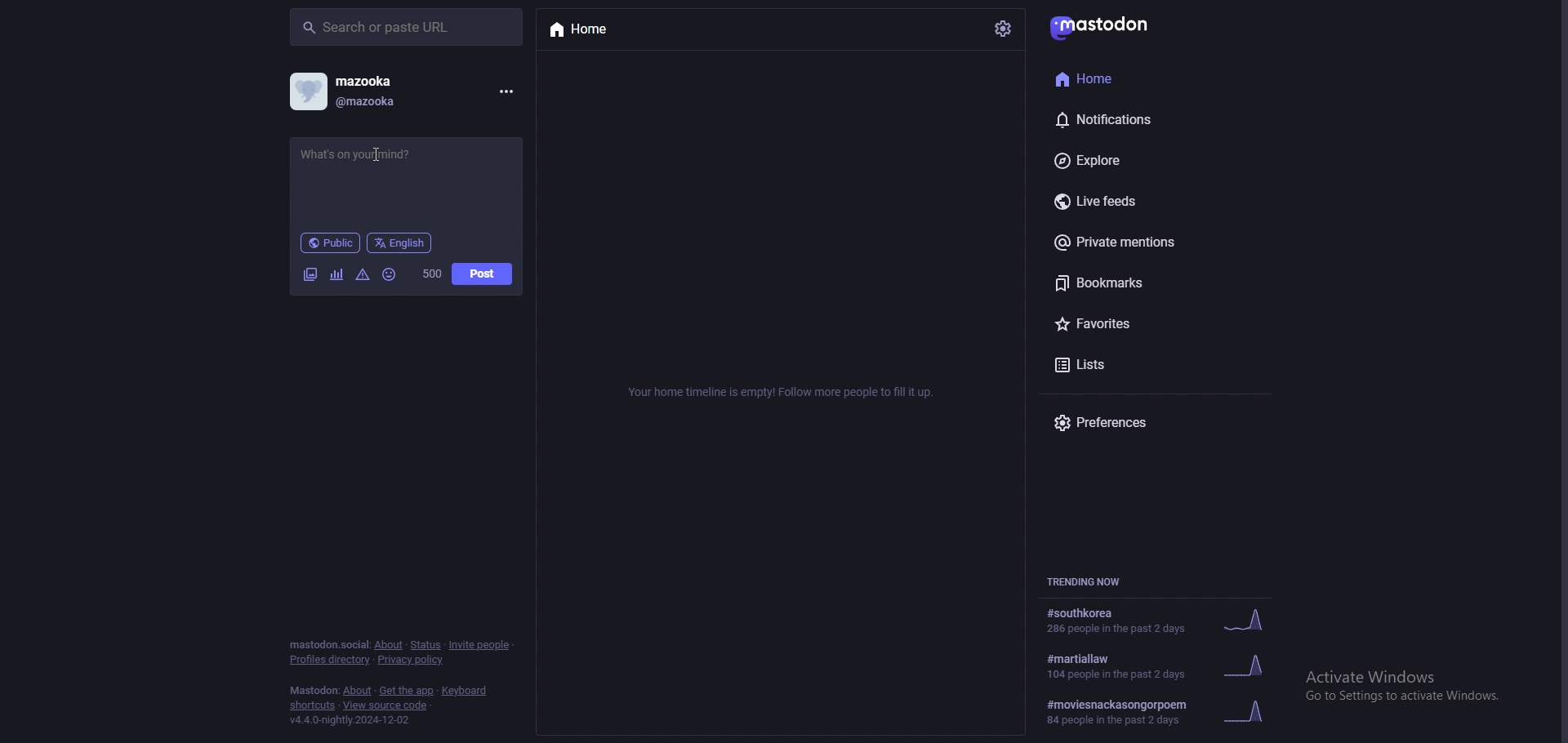 The height and width of the screenshot is (743, 1568). What do you see at coordinates (400, 242) in the screenshot?
I see `language` at bounding box center [400, 242].